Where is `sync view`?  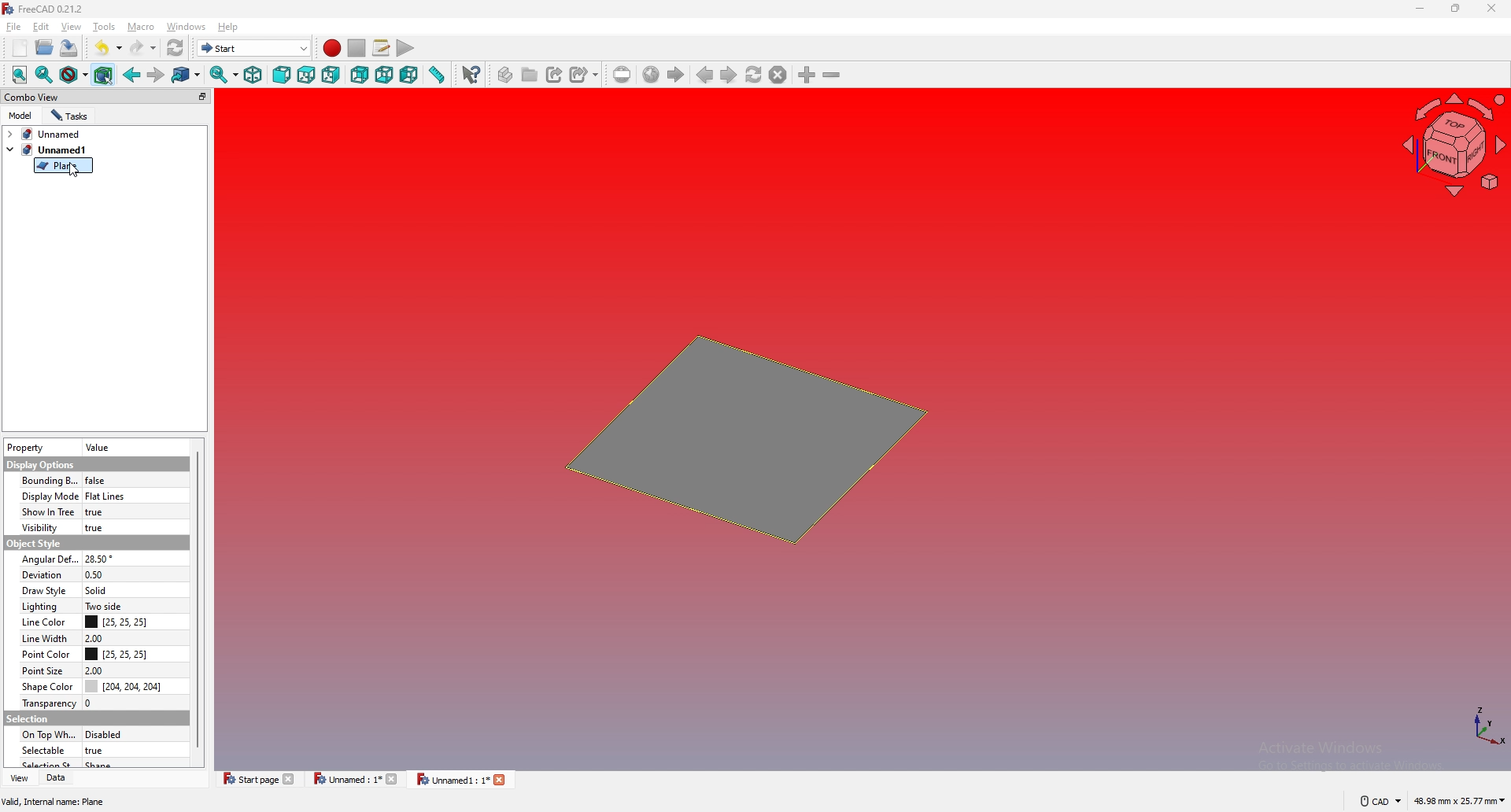 sync view is located at coordinates (224, 74).